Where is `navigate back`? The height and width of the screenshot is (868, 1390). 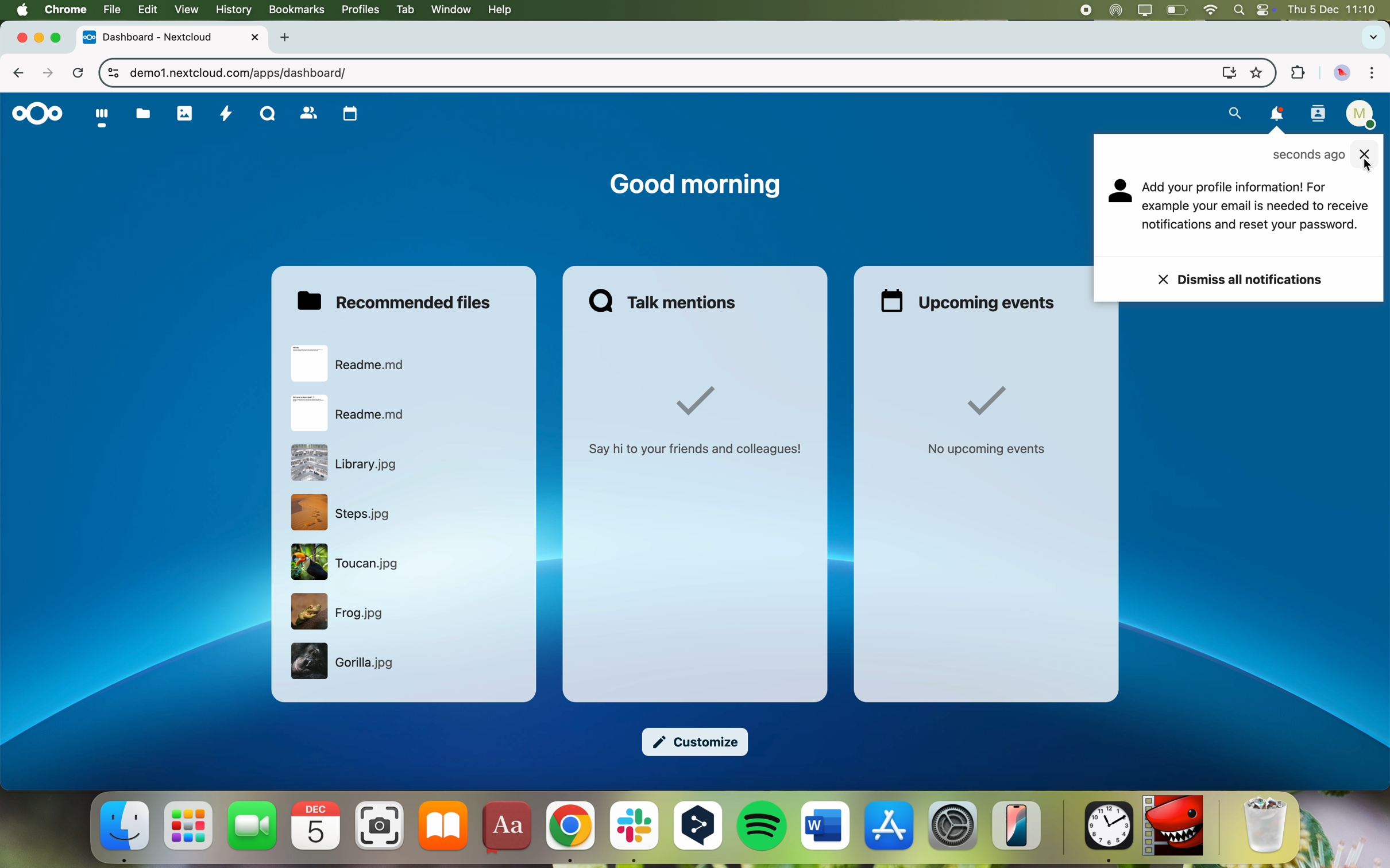
navigate back is located at coordinates (24, 75).